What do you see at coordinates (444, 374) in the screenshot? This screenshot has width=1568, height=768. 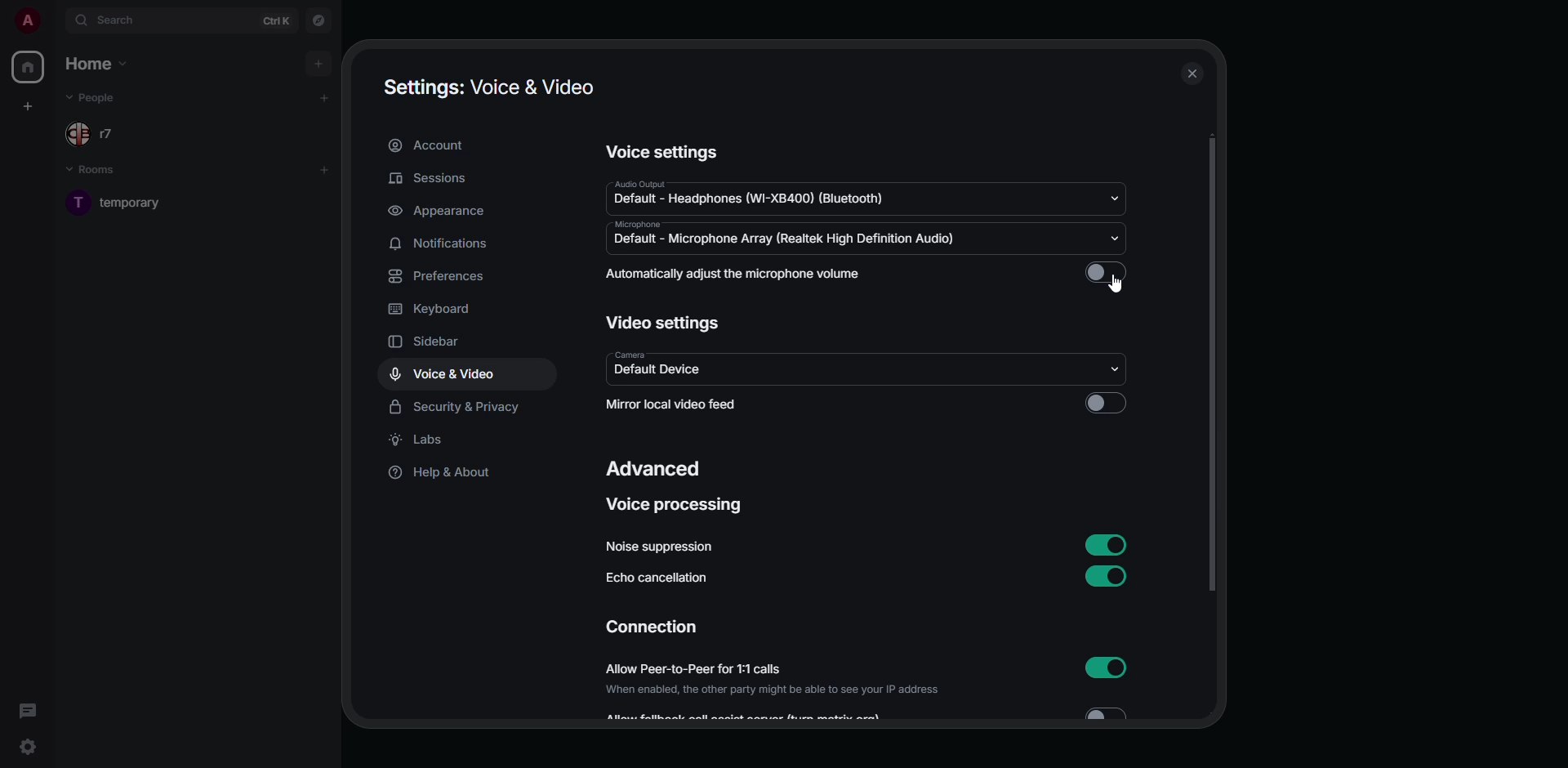 I see `voice & video` at bounding box center [444, 374].